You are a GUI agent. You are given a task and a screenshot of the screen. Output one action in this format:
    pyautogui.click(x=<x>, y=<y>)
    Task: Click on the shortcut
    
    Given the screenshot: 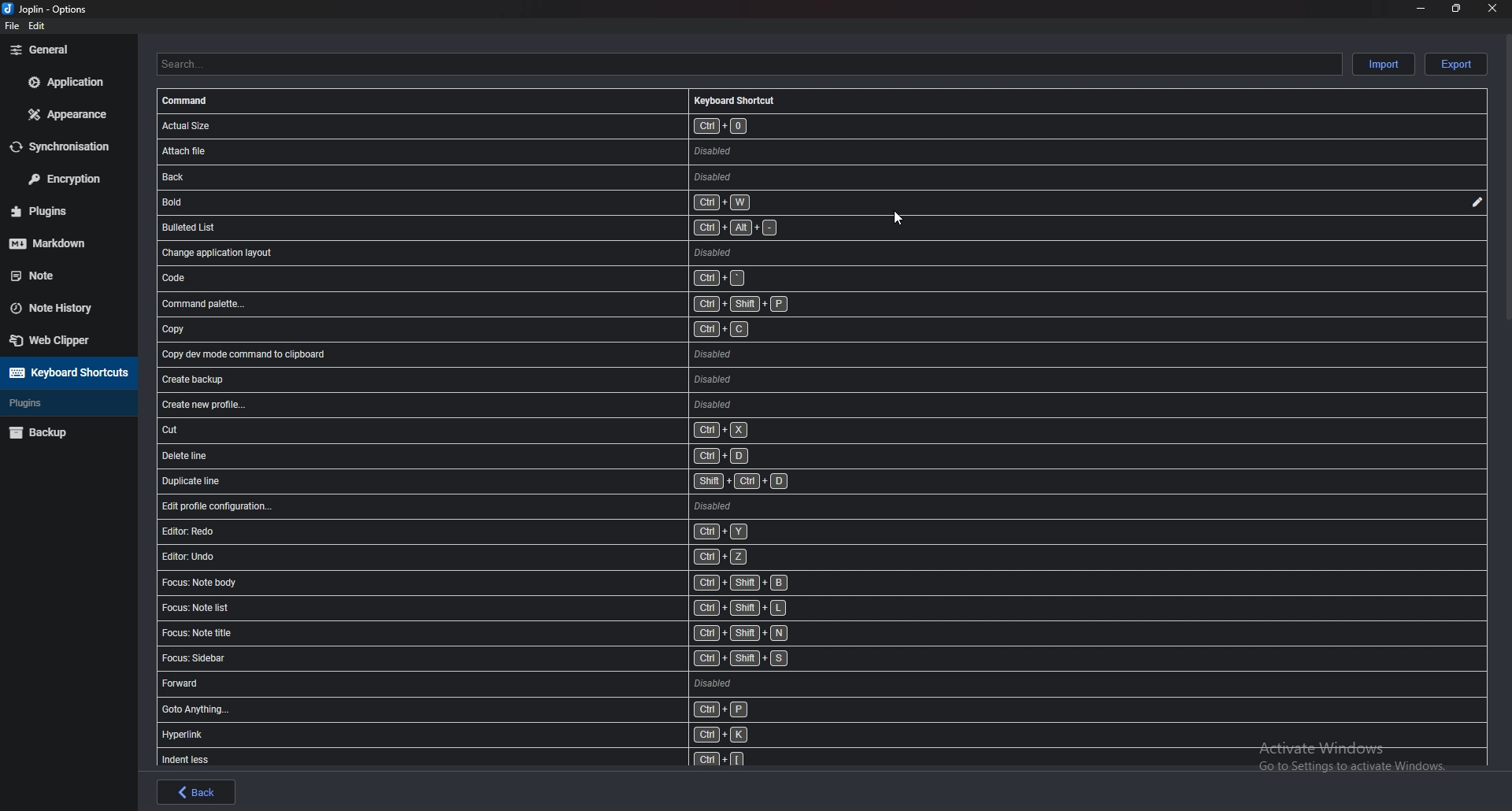 What is the action you would take?
    pyautogui.click(x=506, y=353)
    